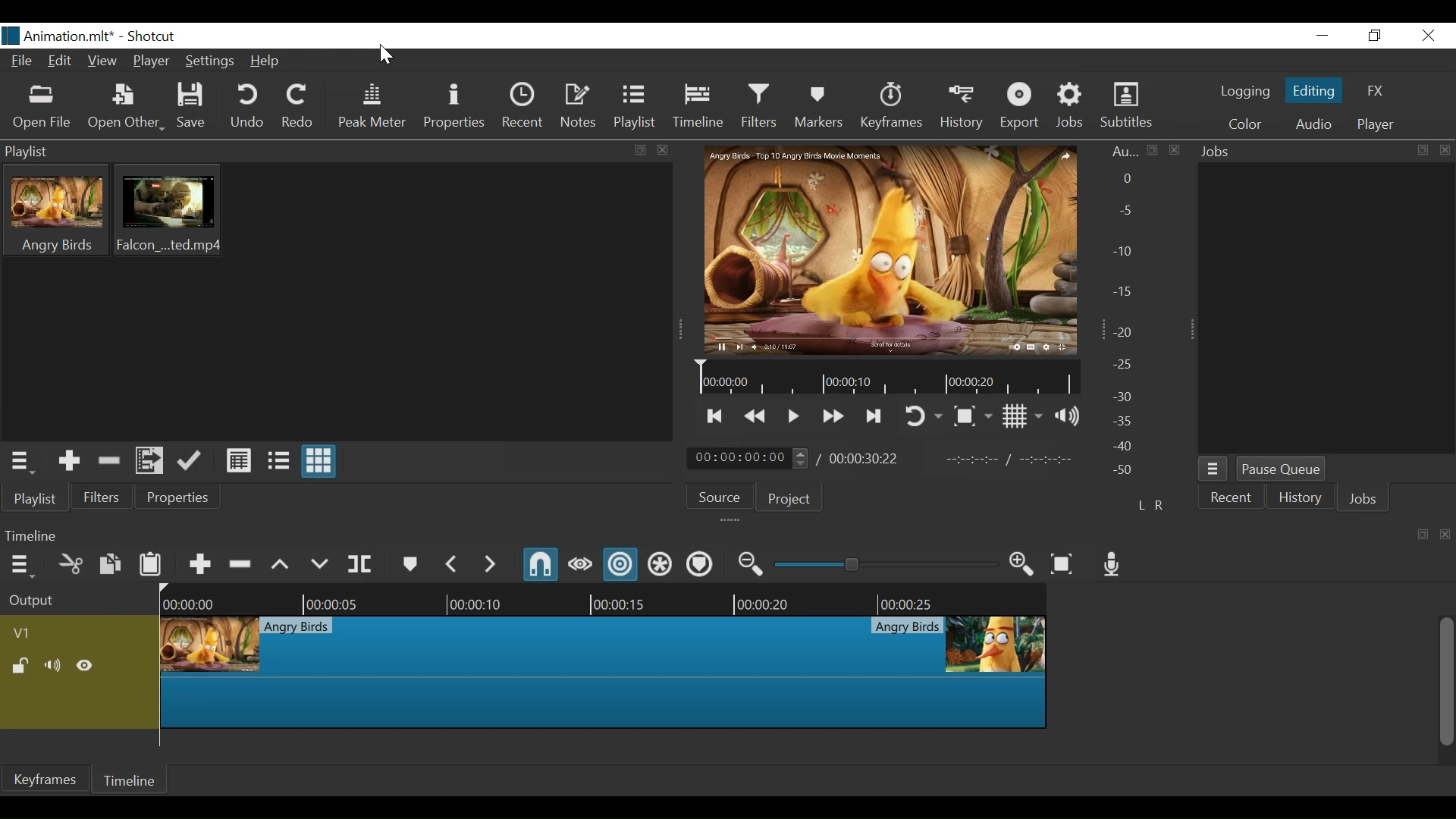  I want to click on Snap, so click(542, 566).